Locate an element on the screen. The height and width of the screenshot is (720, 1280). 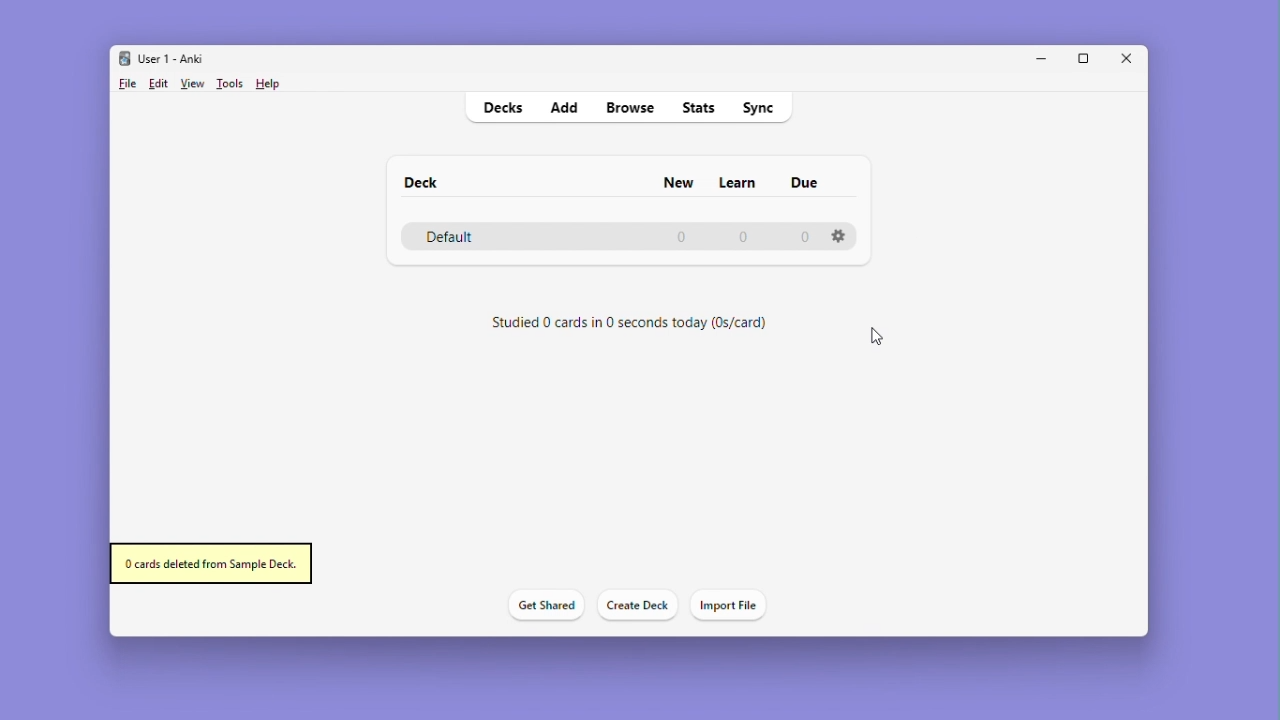
New is located at coordinates (680, 182).